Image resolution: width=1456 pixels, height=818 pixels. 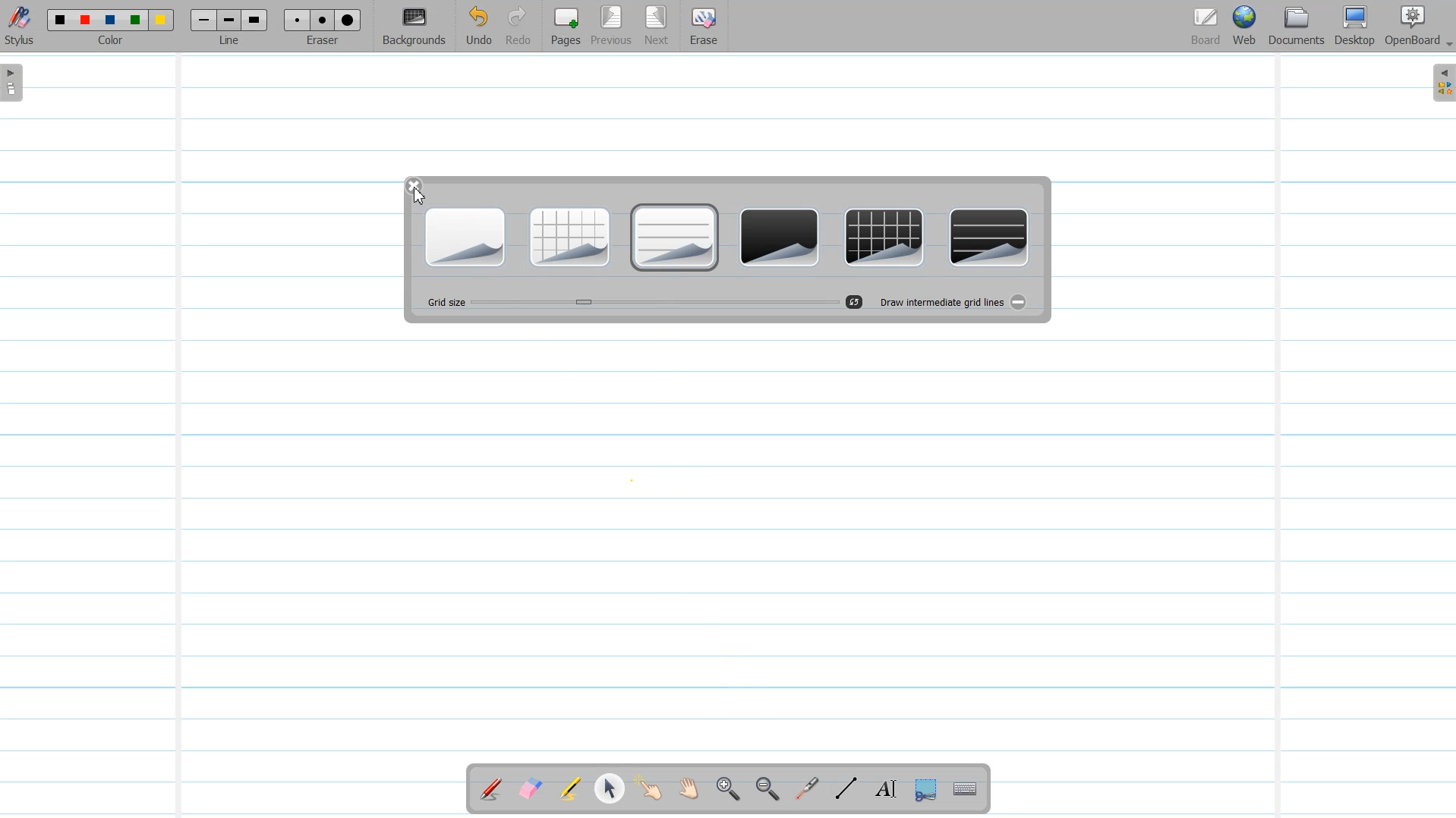 I want to click on Grid Light Background, so click(x=569, y=237).